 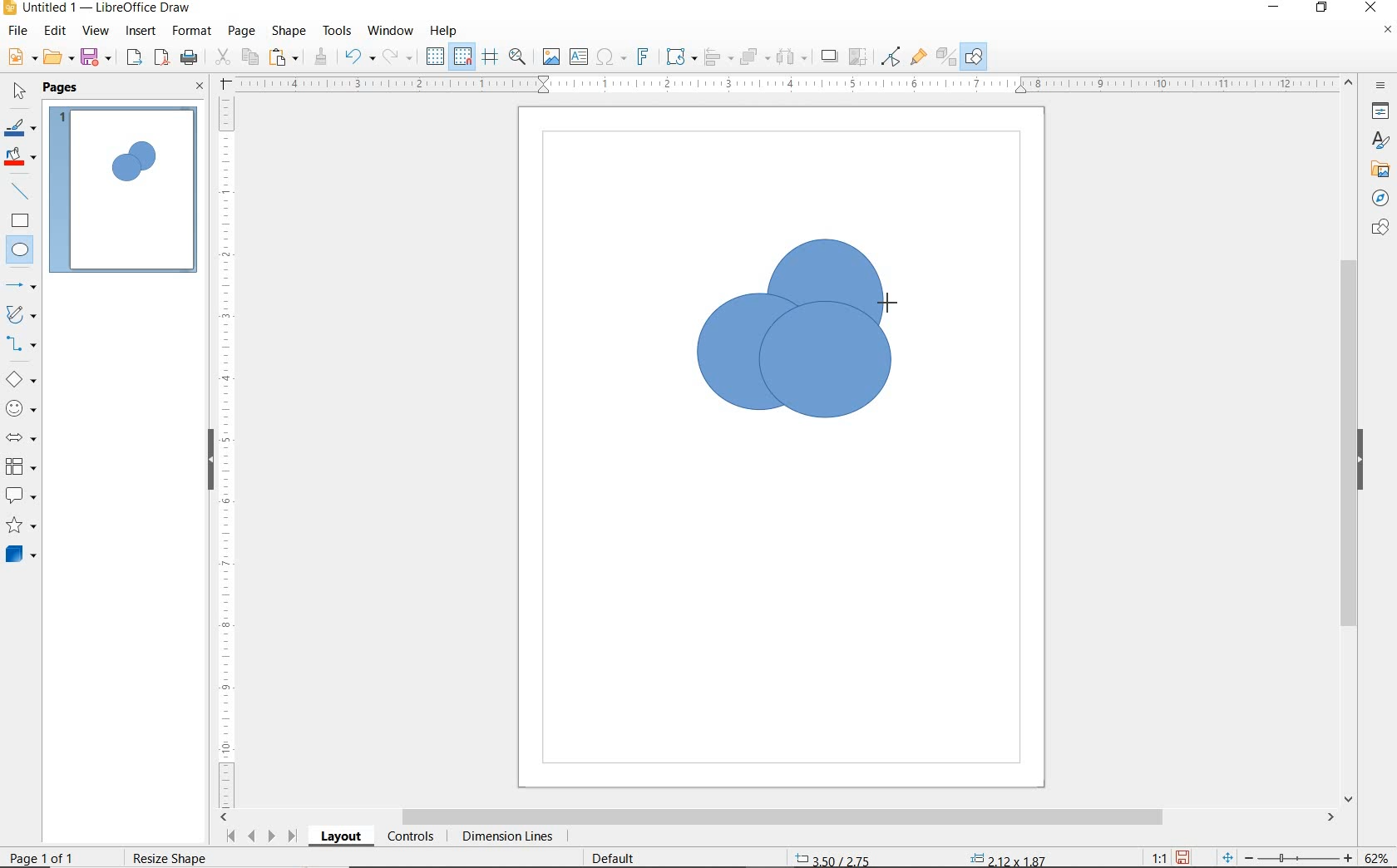 I want to click on SYMBOL SHAPES, so click(x=22, y=408).